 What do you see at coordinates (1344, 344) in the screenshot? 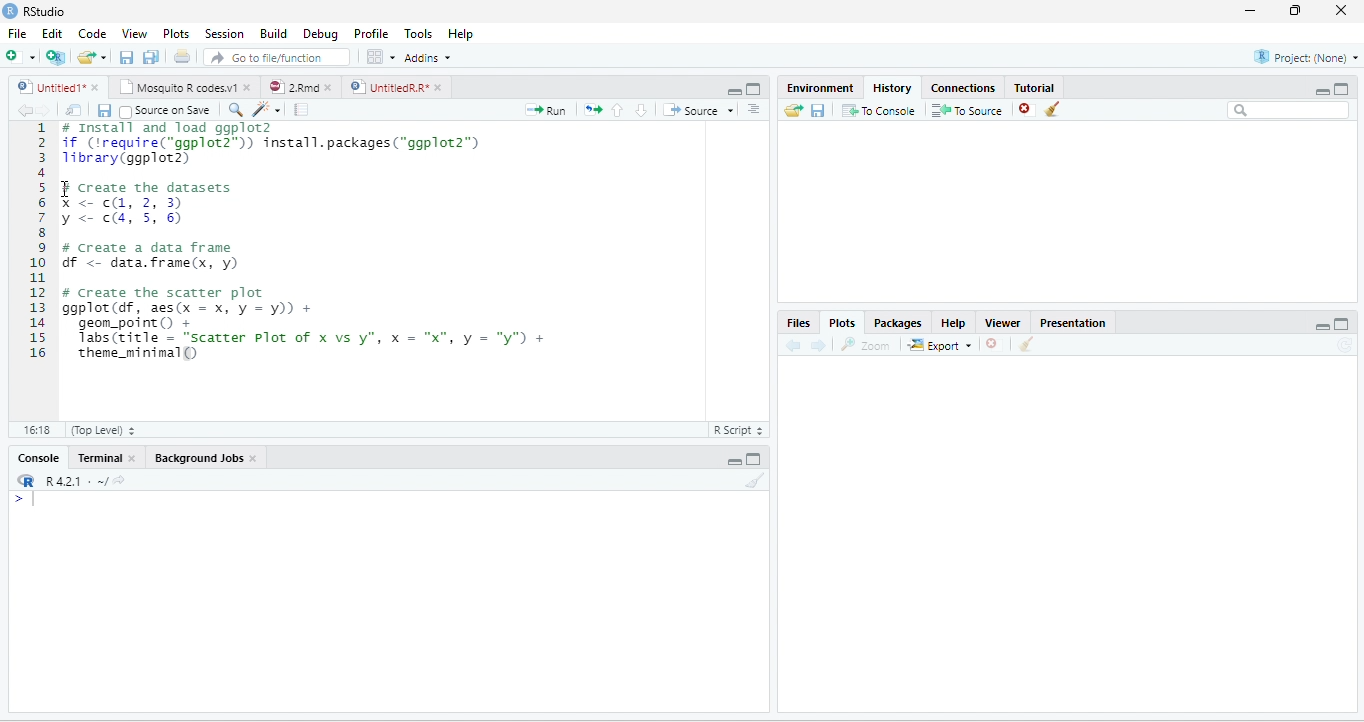
I see `Refresh current plot` at bounding box center [1344, 344].